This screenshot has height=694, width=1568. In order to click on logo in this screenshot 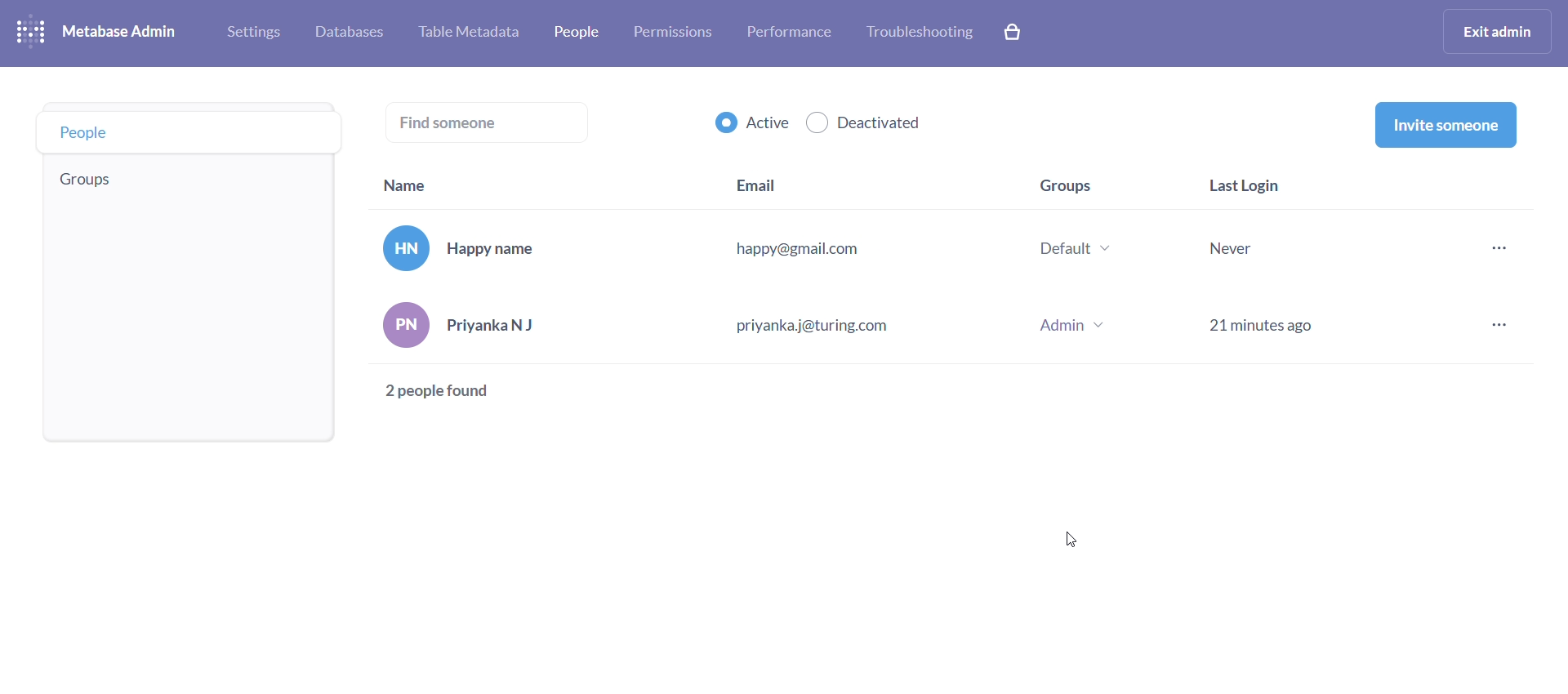, I will do `click(34, 33)`.